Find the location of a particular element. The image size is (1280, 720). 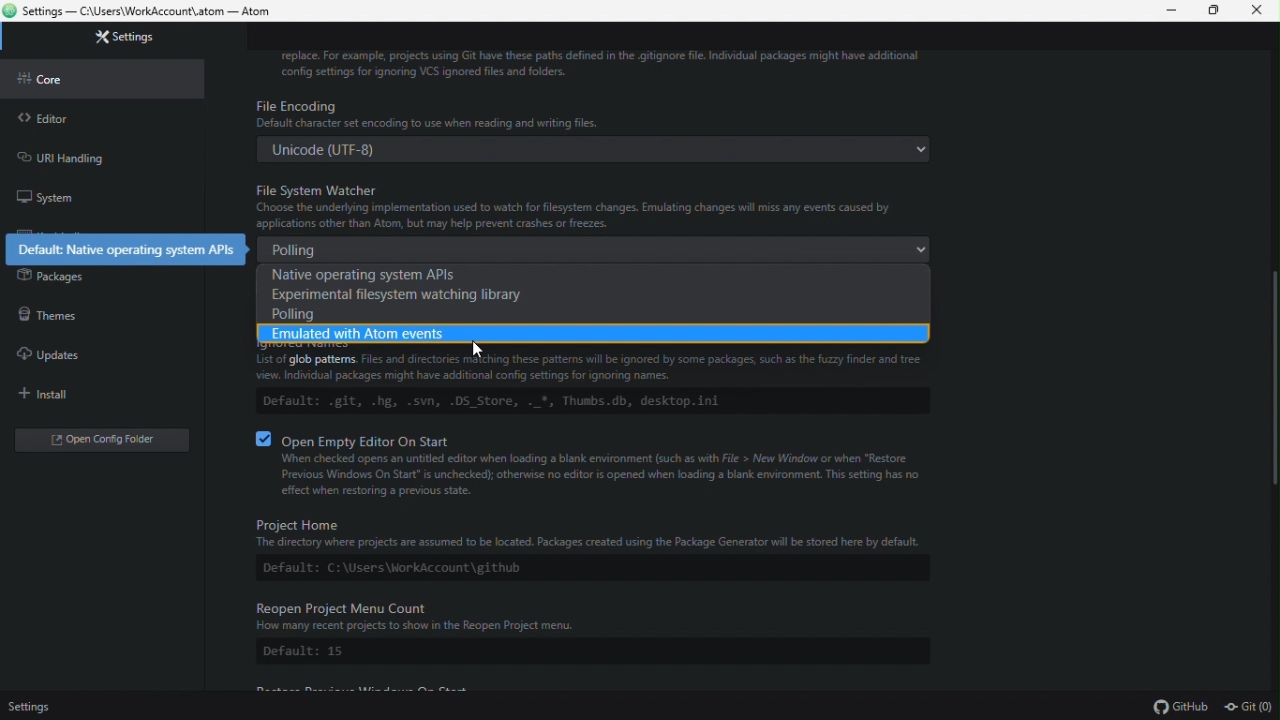

maximize is located at coordinates (1209, 11).